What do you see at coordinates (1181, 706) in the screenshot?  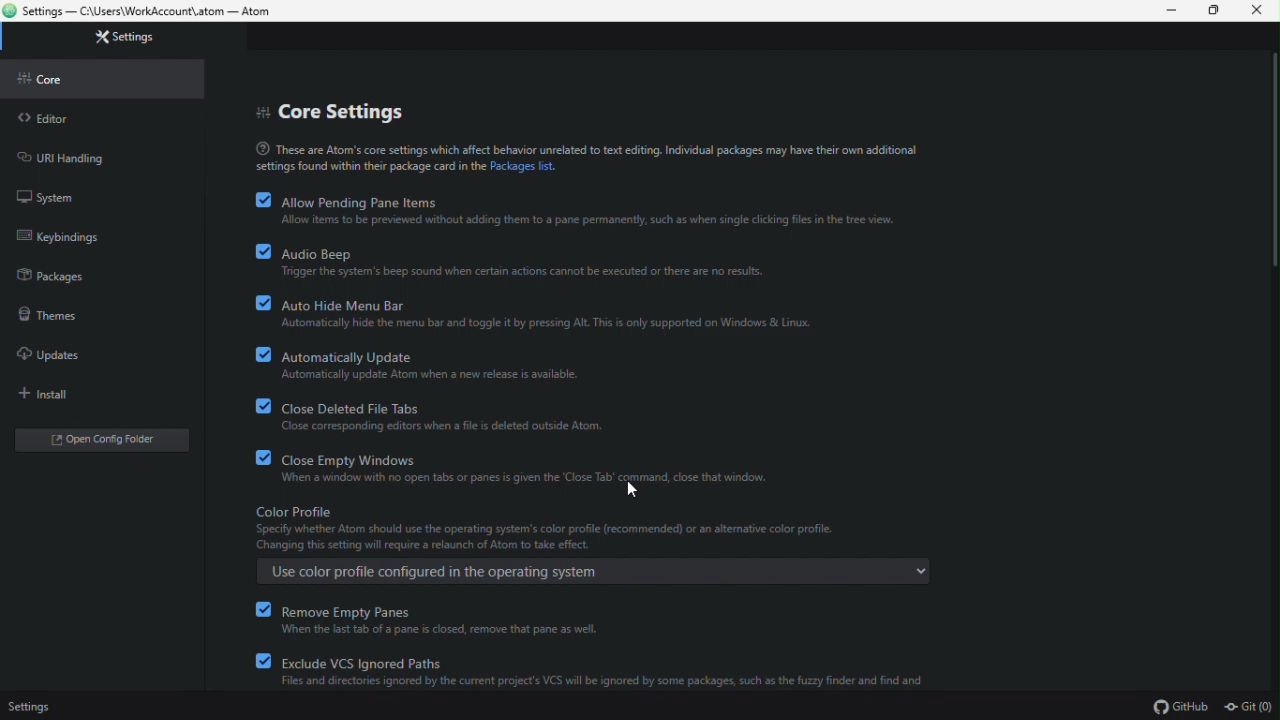 I see `GitHub` at bounding box center [1181, 706].